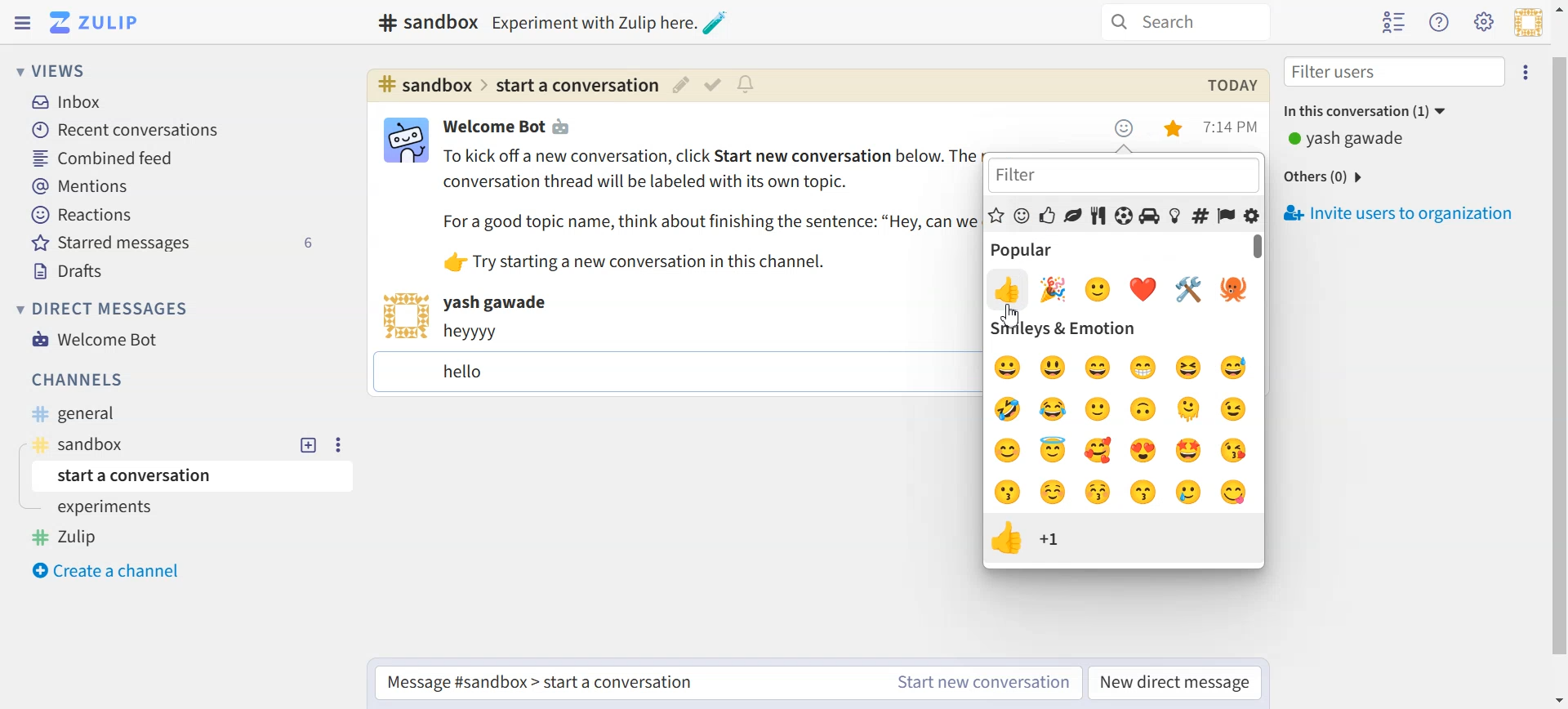 The image size is (1568, 709). What do you see at coordinates (1175, 129) in the screenshot?
I see `Unstar this message` at bounding box center [1175, 129].